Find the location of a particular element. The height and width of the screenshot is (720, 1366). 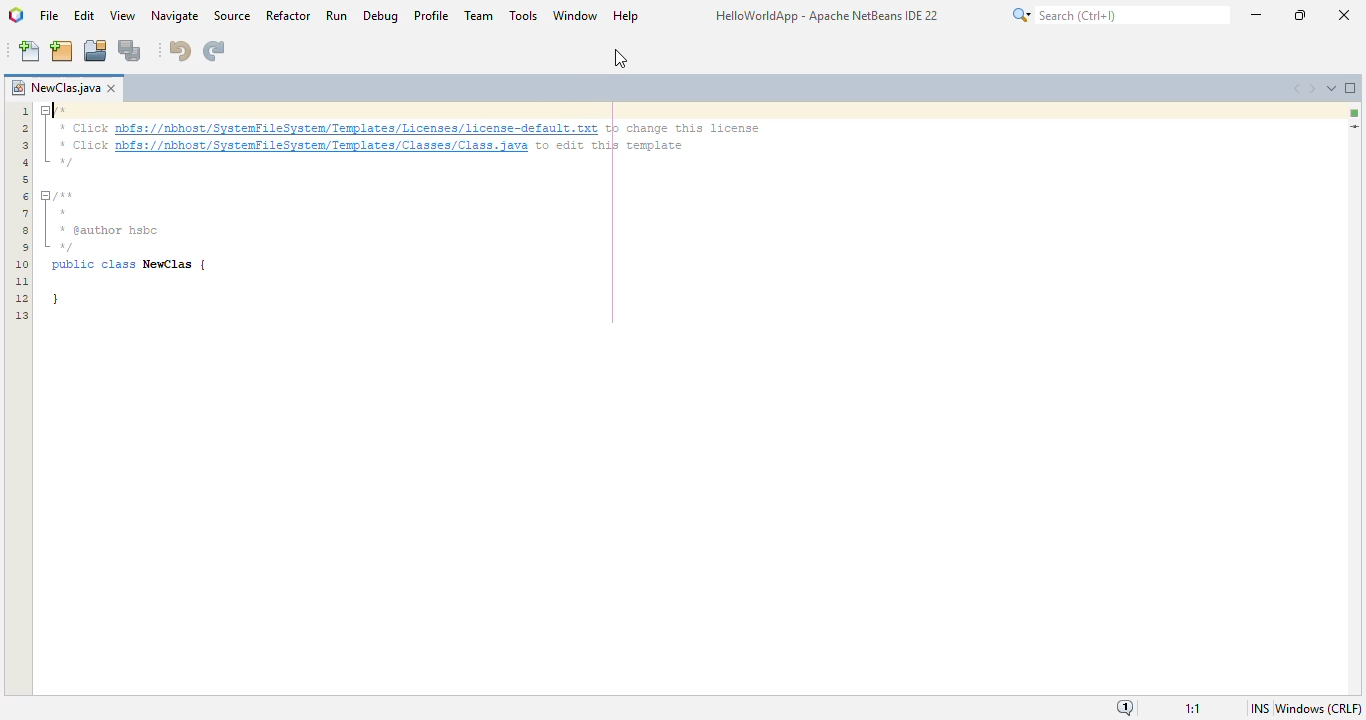

no errors is located at coordinates (1355, 113).